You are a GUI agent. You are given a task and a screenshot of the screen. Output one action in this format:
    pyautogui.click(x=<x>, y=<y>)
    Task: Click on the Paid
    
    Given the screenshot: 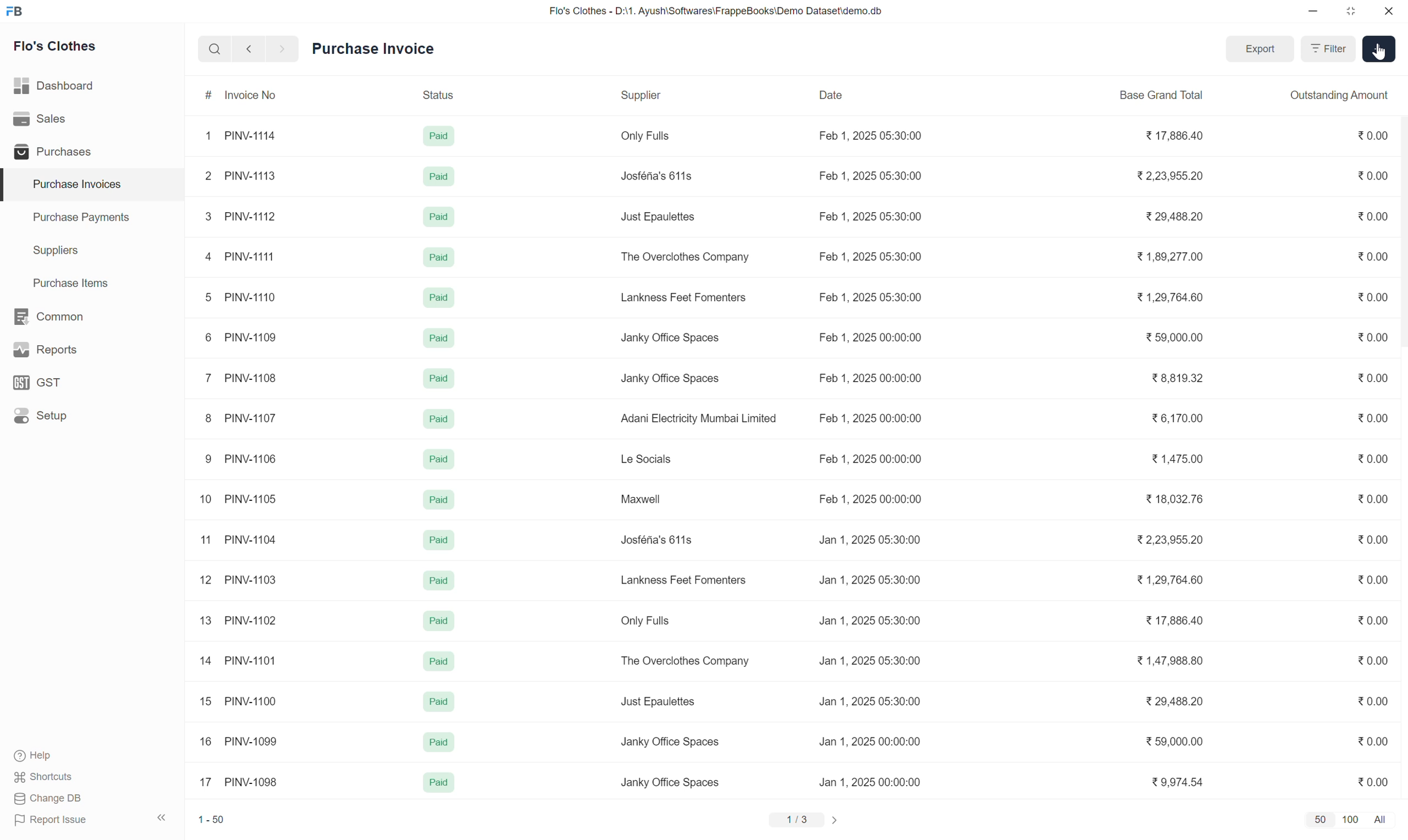 What is the action you would take?
    pyautogui.click(x=439, y=297)
    